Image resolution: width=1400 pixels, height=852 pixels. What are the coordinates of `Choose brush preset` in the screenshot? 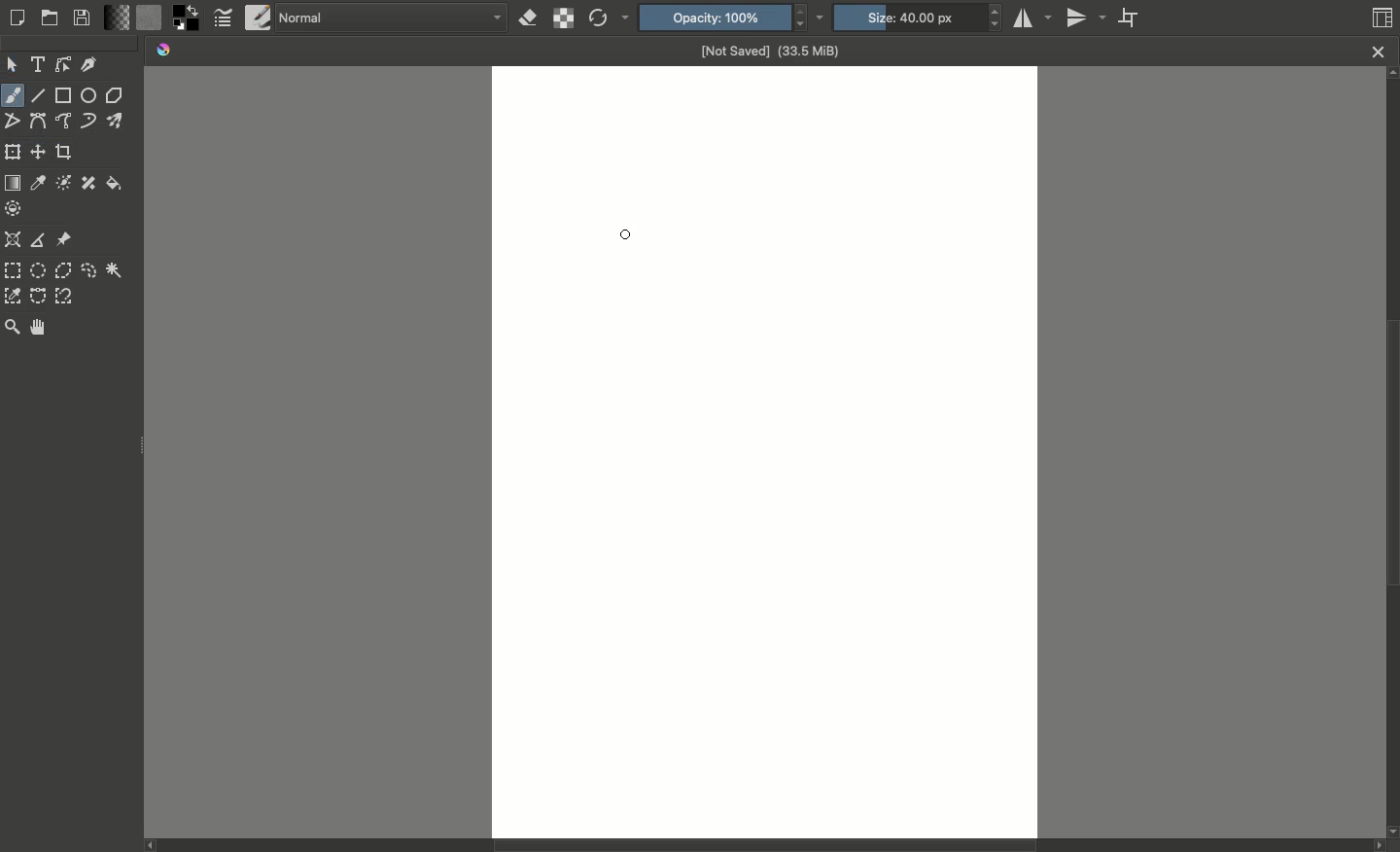 It's located at (257, 18).